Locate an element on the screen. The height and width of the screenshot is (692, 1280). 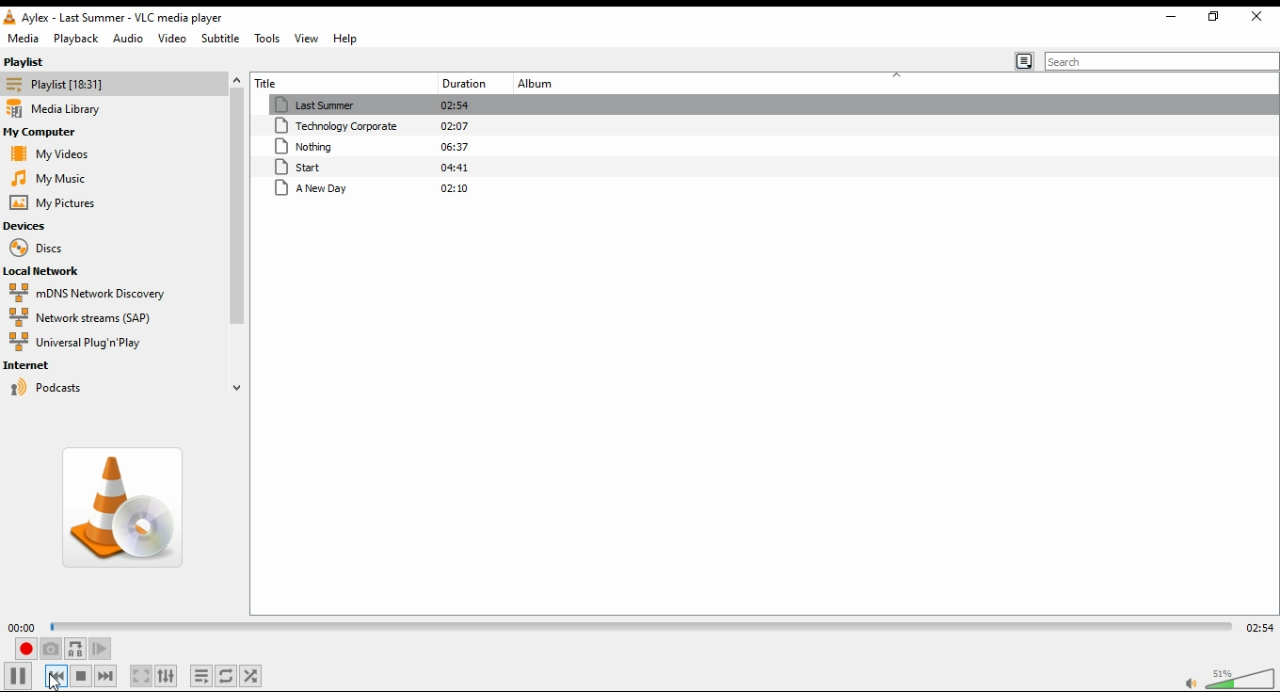
play/pause is located at coordinates (18, 675).